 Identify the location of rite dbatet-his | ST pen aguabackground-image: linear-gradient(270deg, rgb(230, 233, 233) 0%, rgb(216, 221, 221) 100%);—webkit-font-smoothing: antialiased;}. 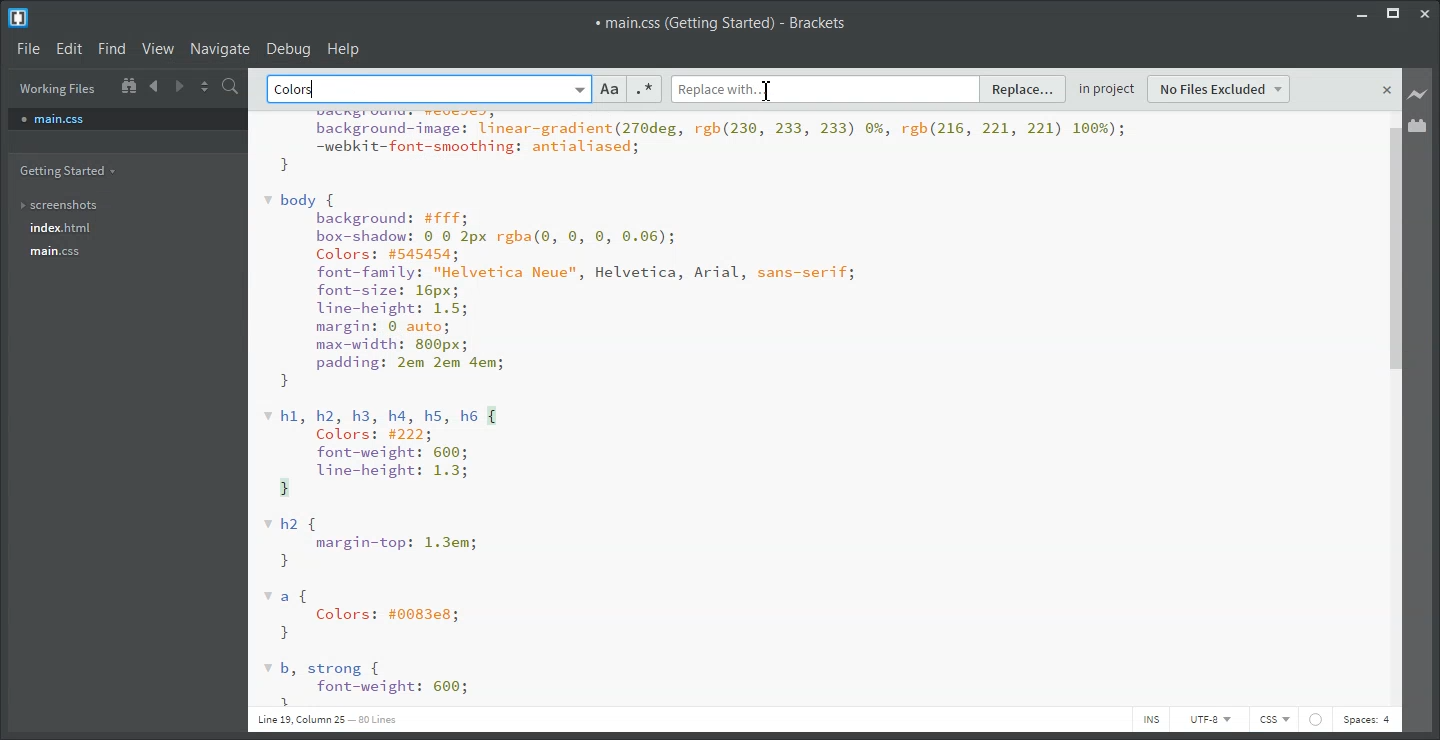
(694, 143).